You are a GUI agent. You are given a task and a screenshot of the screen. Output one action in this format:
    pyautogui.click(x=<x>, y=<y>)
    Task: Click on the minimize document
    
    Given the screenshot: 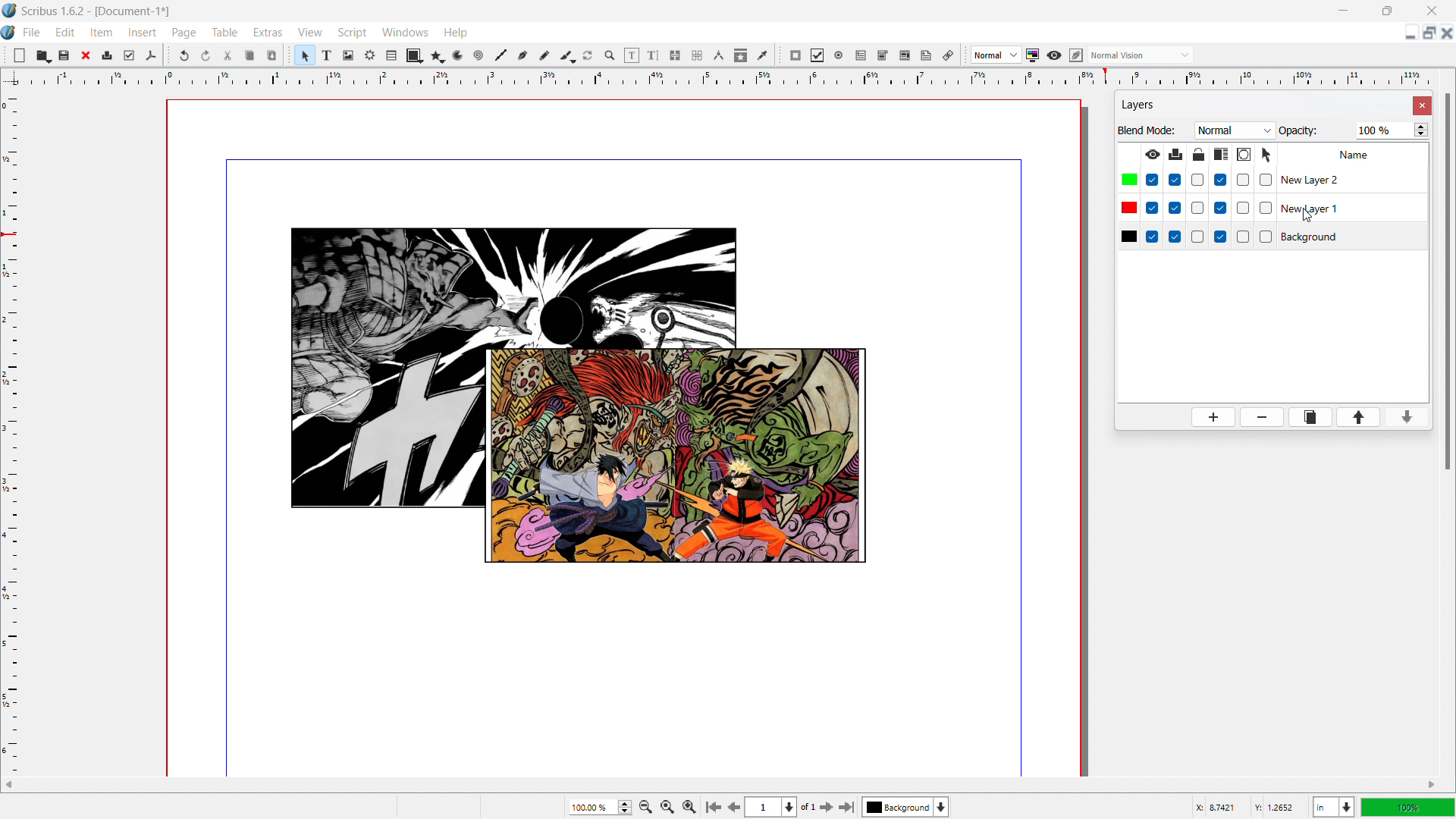 What is the action you would take?
    pyautogui.click(x=1407, y=33)
    